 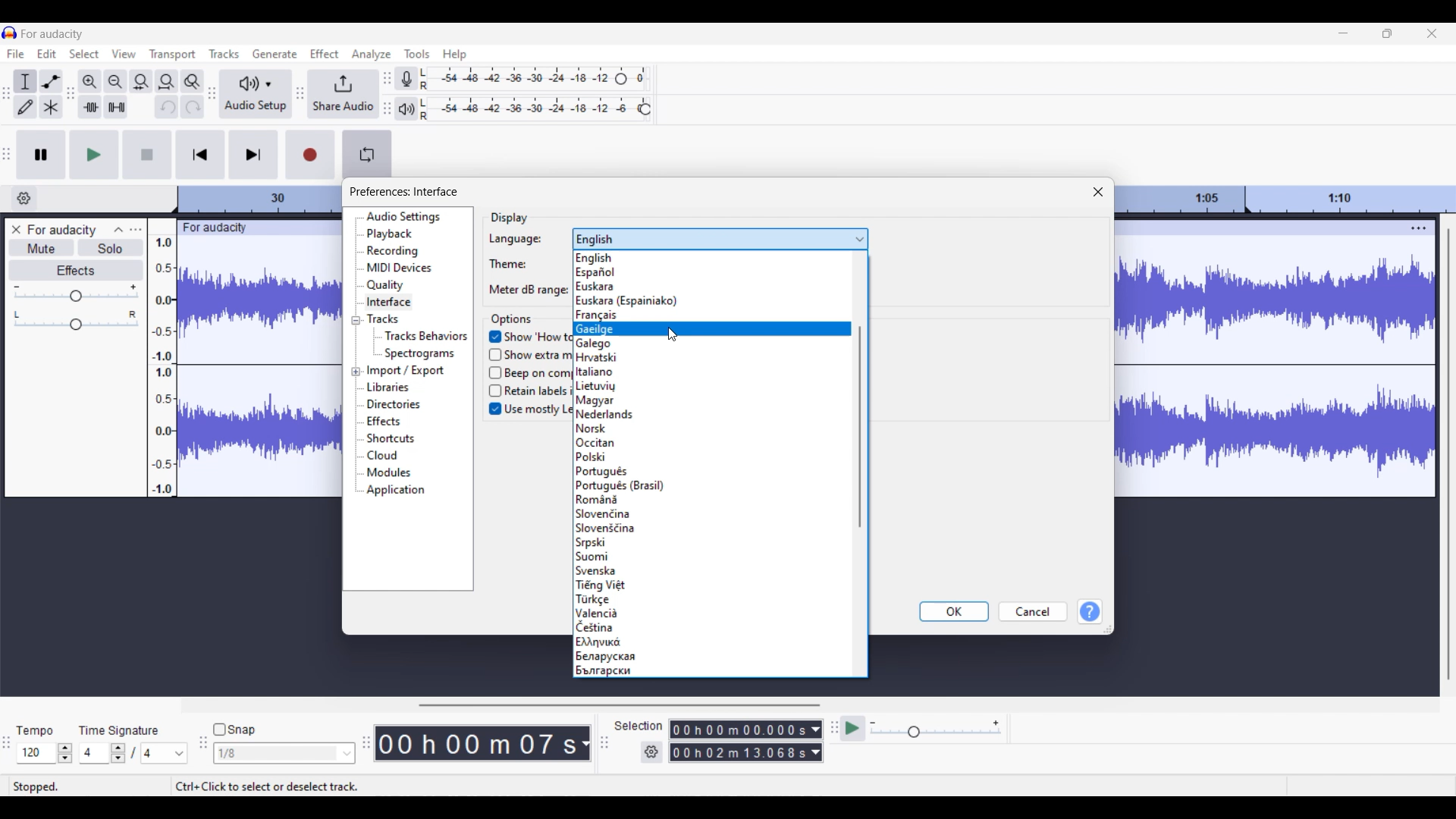 What do you see at coordinates (602, 641) in the screenshot?
I see `J Evia` at bounding box center [602, 641].